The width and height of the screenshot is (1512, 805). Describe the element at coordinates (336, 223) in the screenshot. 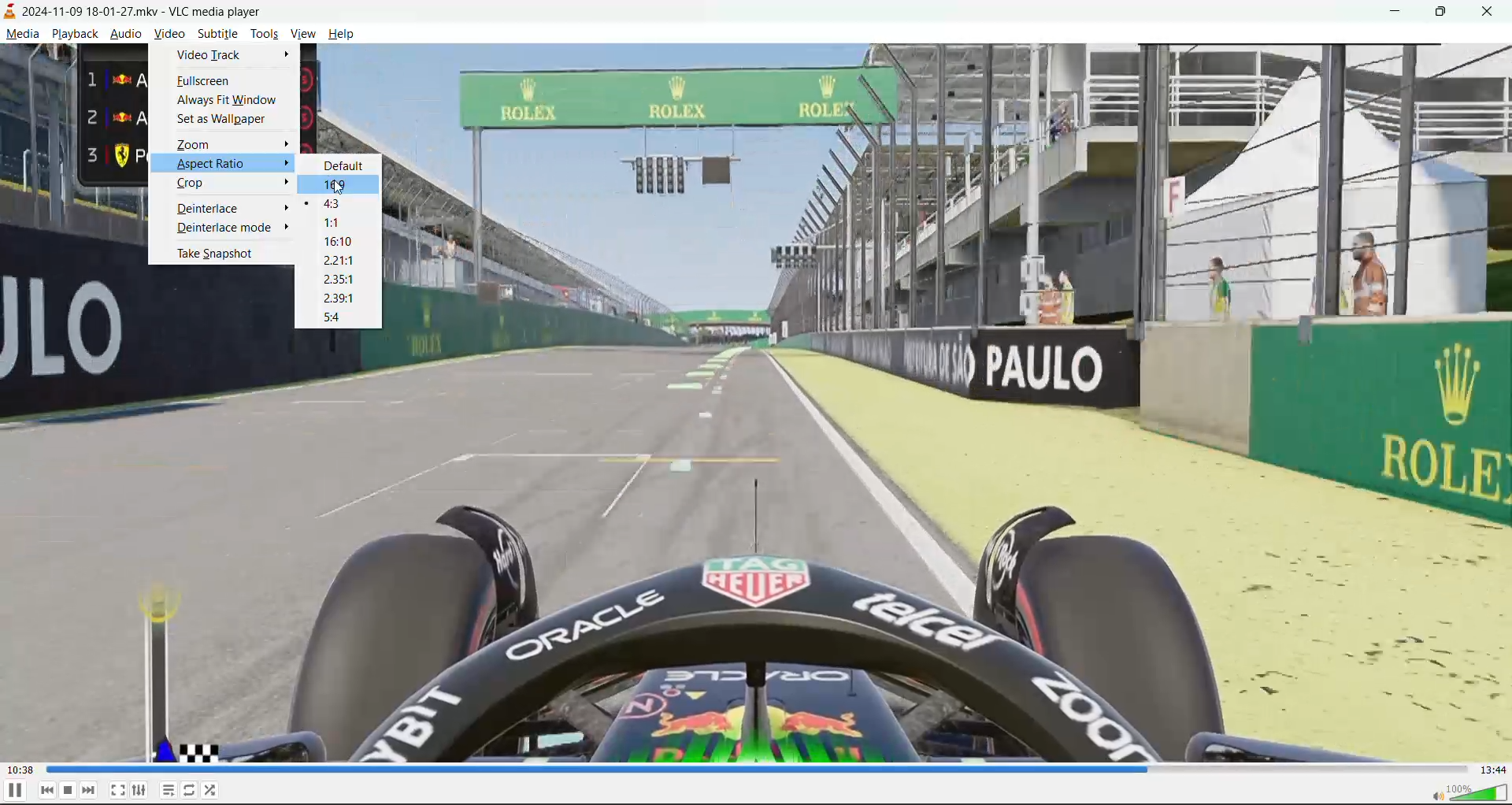

I see `1:1` at that location.